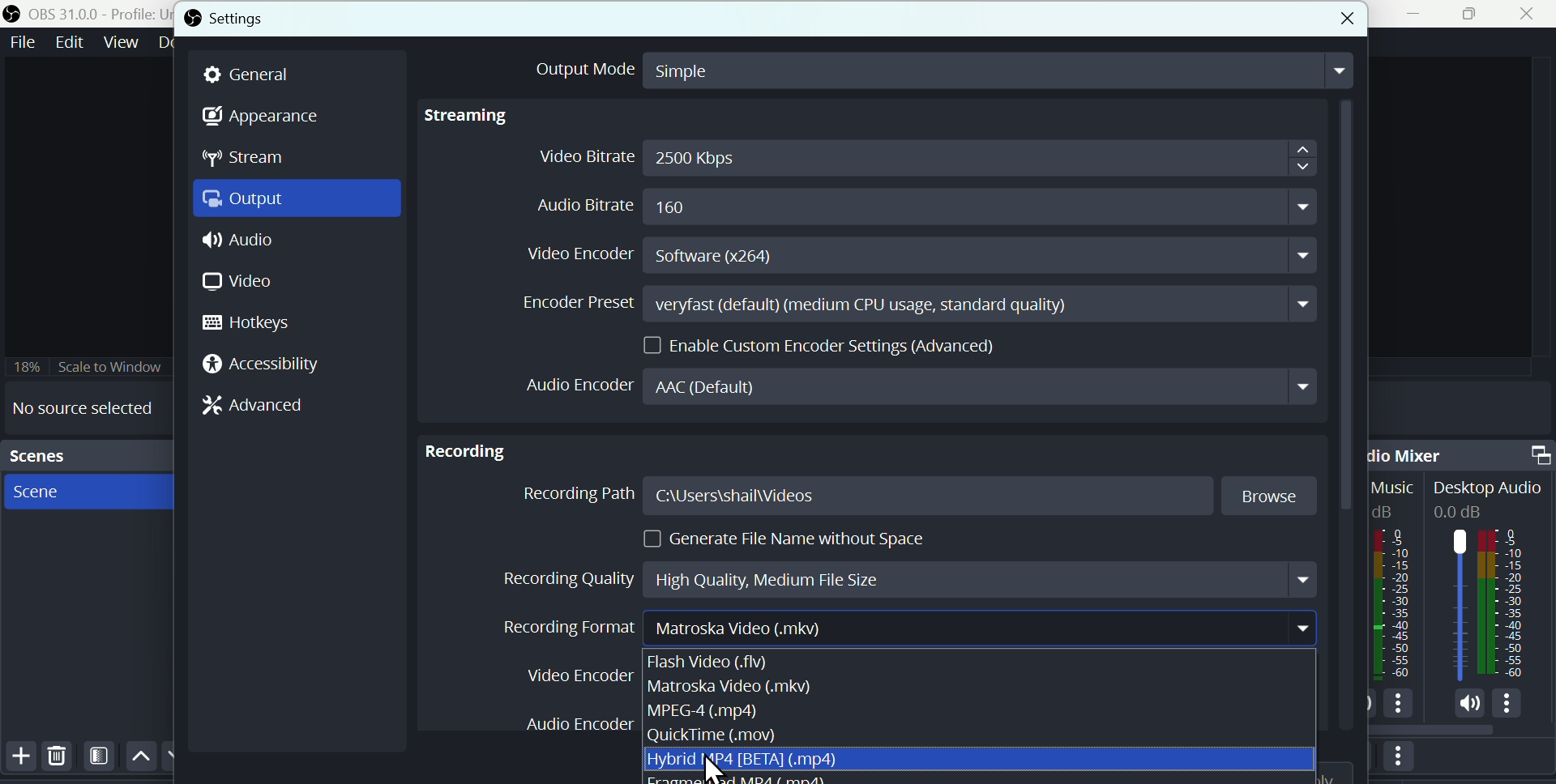  I want to click on generate file name without space, so click(753, 538).